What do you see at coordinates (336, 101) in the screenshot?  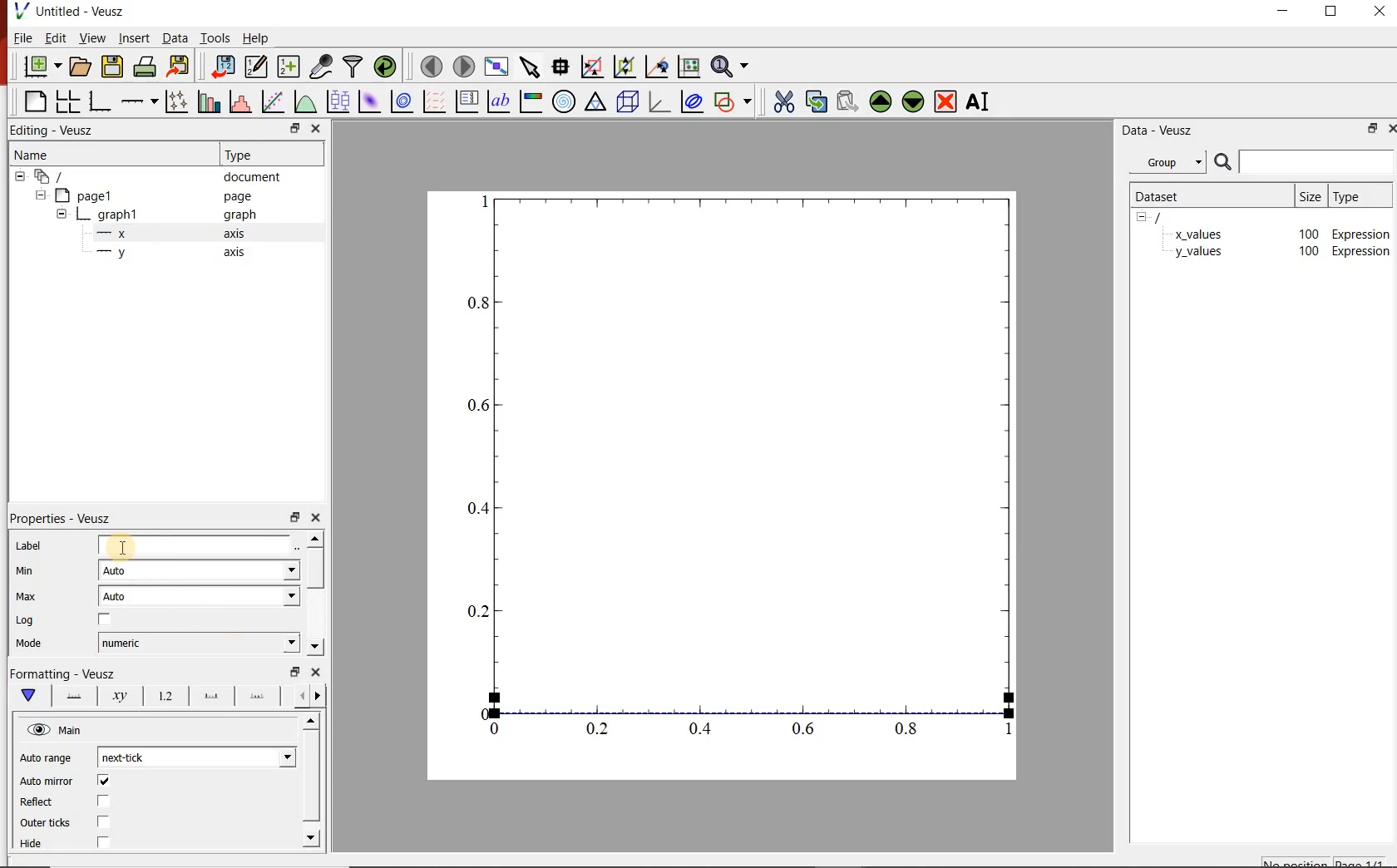 I see `plot box plots` at bounding box center [336, 101].